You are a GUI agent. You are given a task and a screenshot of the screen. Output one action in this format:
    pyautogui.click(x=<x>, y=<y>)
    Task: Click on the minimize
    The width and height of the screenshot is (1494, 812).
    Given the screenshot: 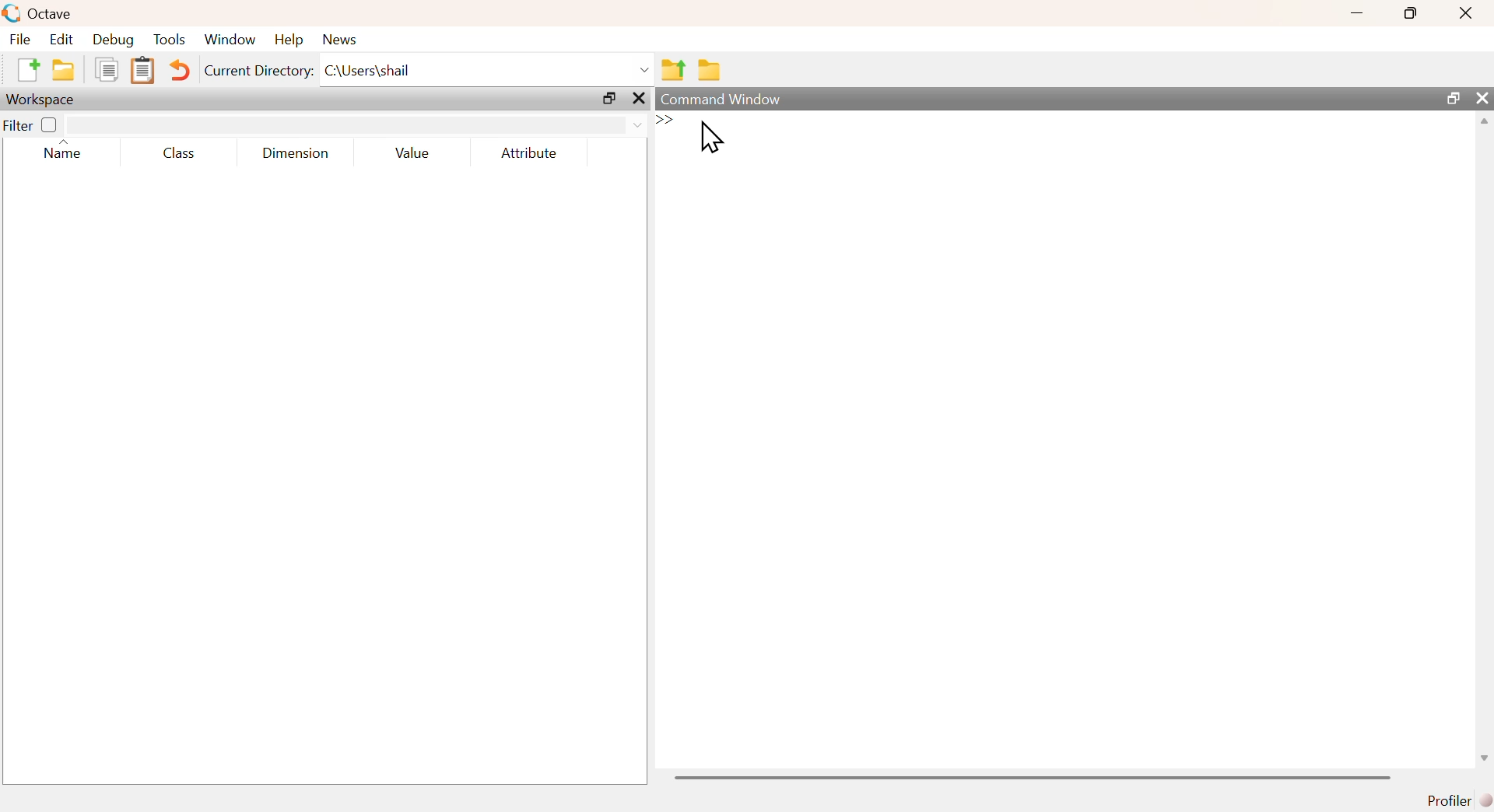 What is the action you would take?
    pyautogui.click(x=1355, y=15)
    